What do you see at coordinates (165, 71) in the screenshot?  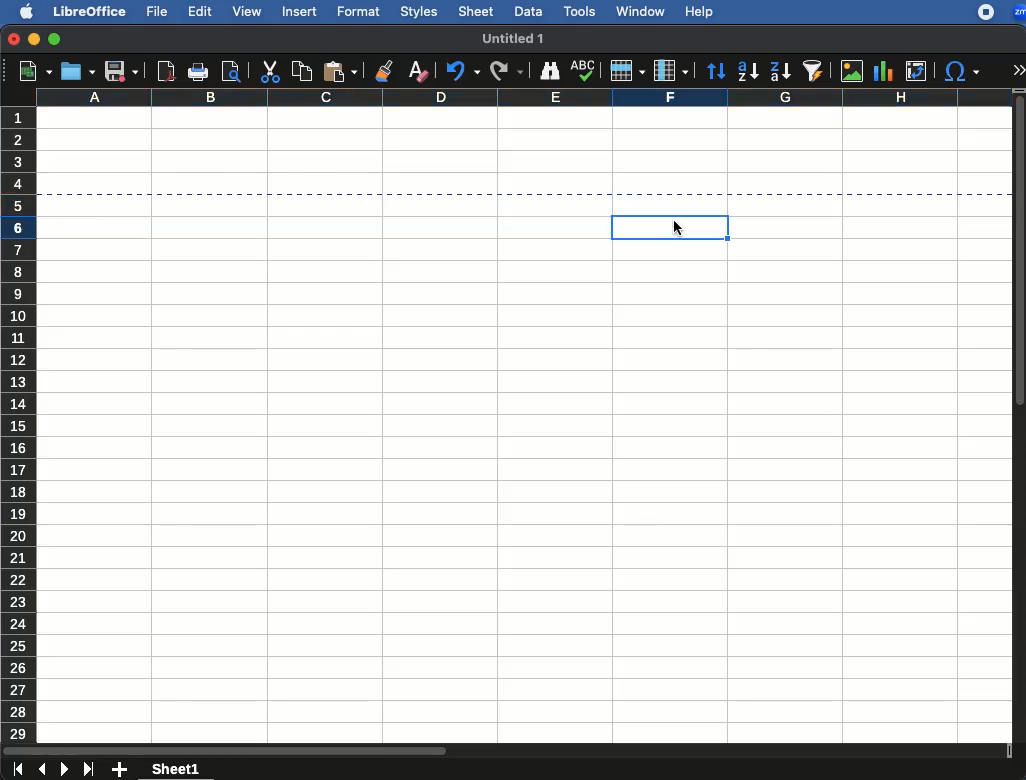 I see `pdf reader` at bounding box center [165, 71].